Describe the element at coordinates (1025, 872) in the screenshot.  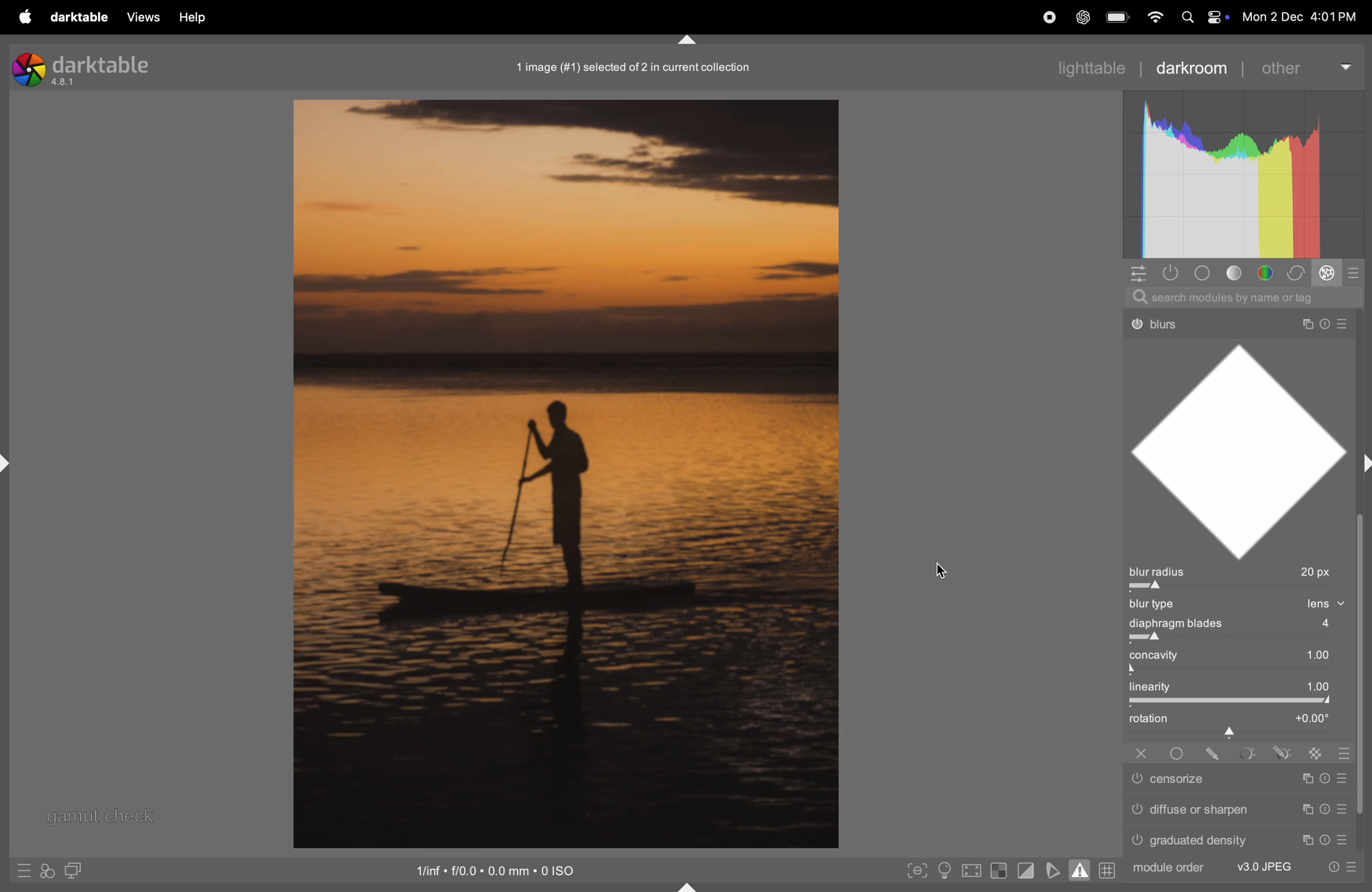
I see `toggle clipping indication` at that location.